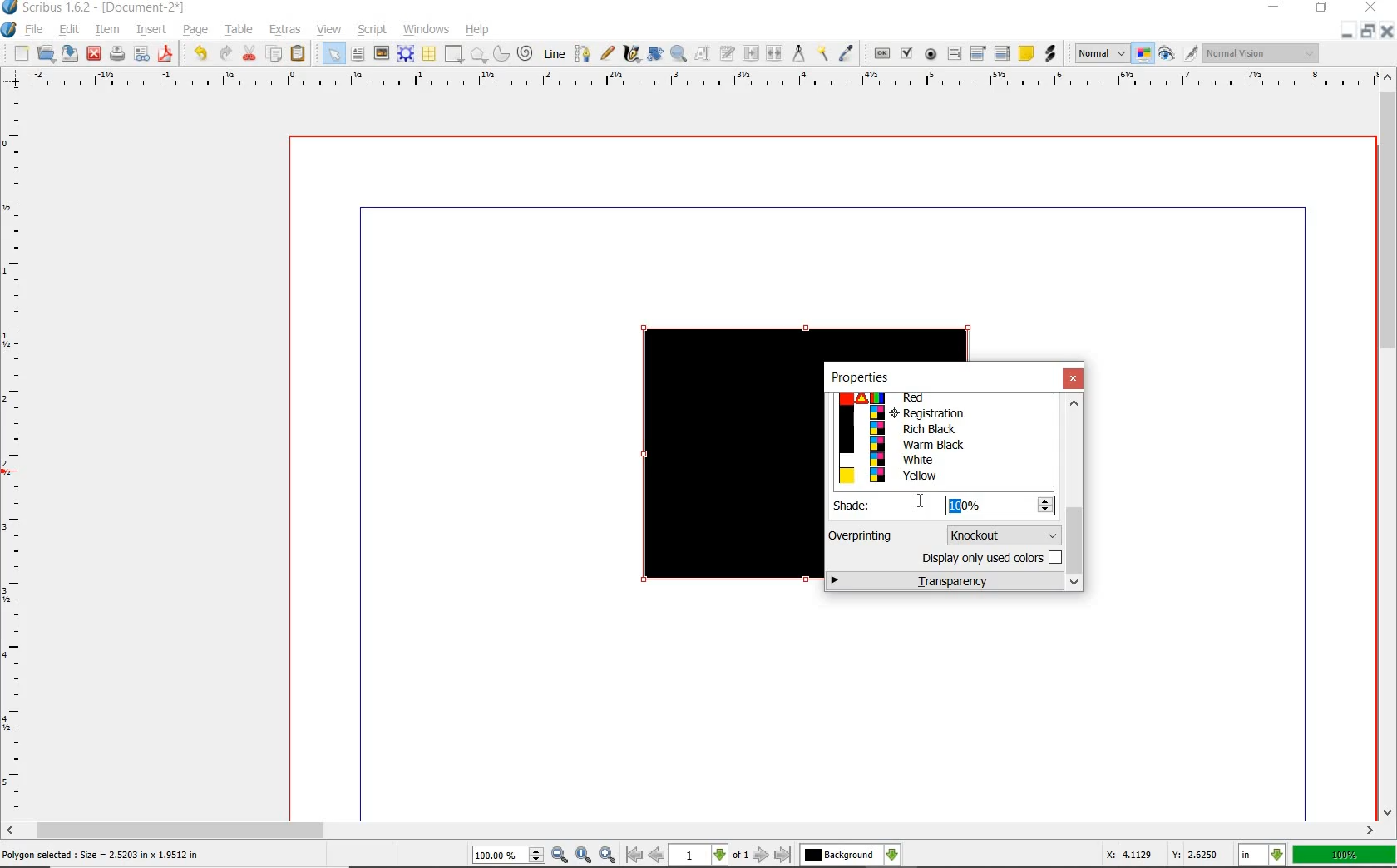 The image size is (1397, 868). What do you see at coordinates (167, 54) in the screenshot?
I see `save as pdf` at bounding box center [167, 54].